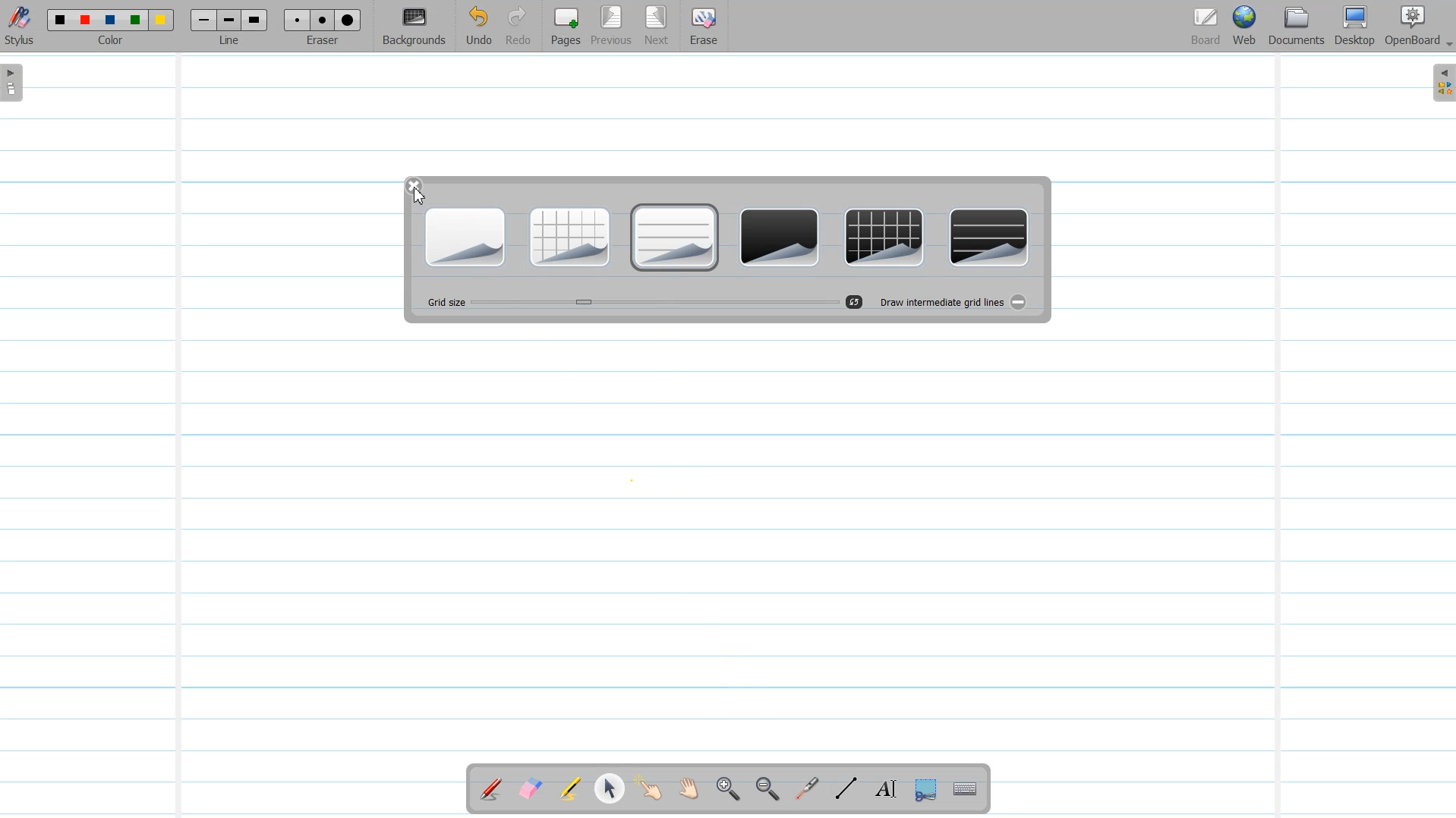 Image resolution: width=1456 pixels, height=818 pixels. I want to click on Rural Grid Background, so click(725, 546).